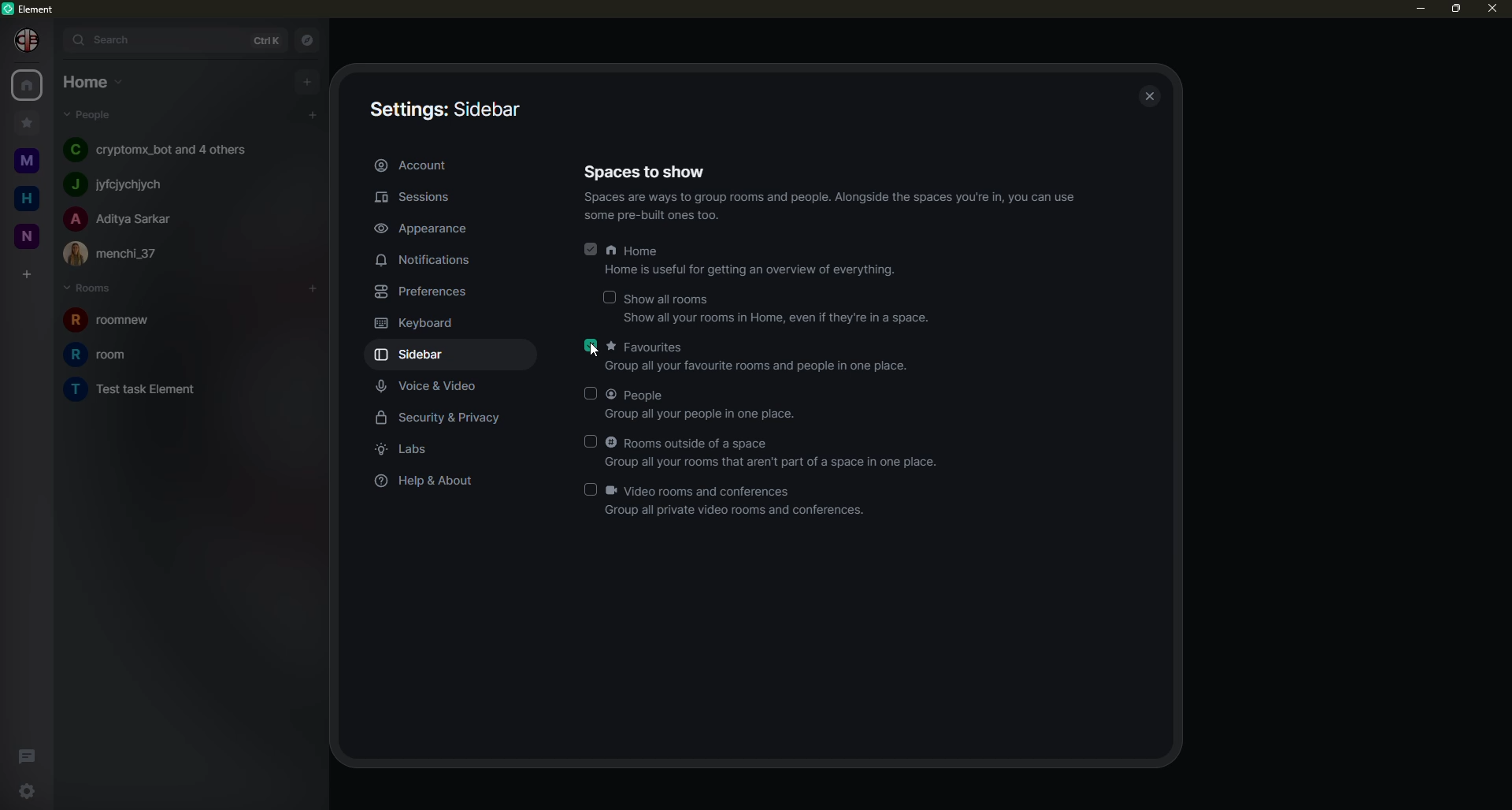  What do you see at coordinates (430, 230) in the screenshot?
I see `appearance` at bounding box center [430, 230].